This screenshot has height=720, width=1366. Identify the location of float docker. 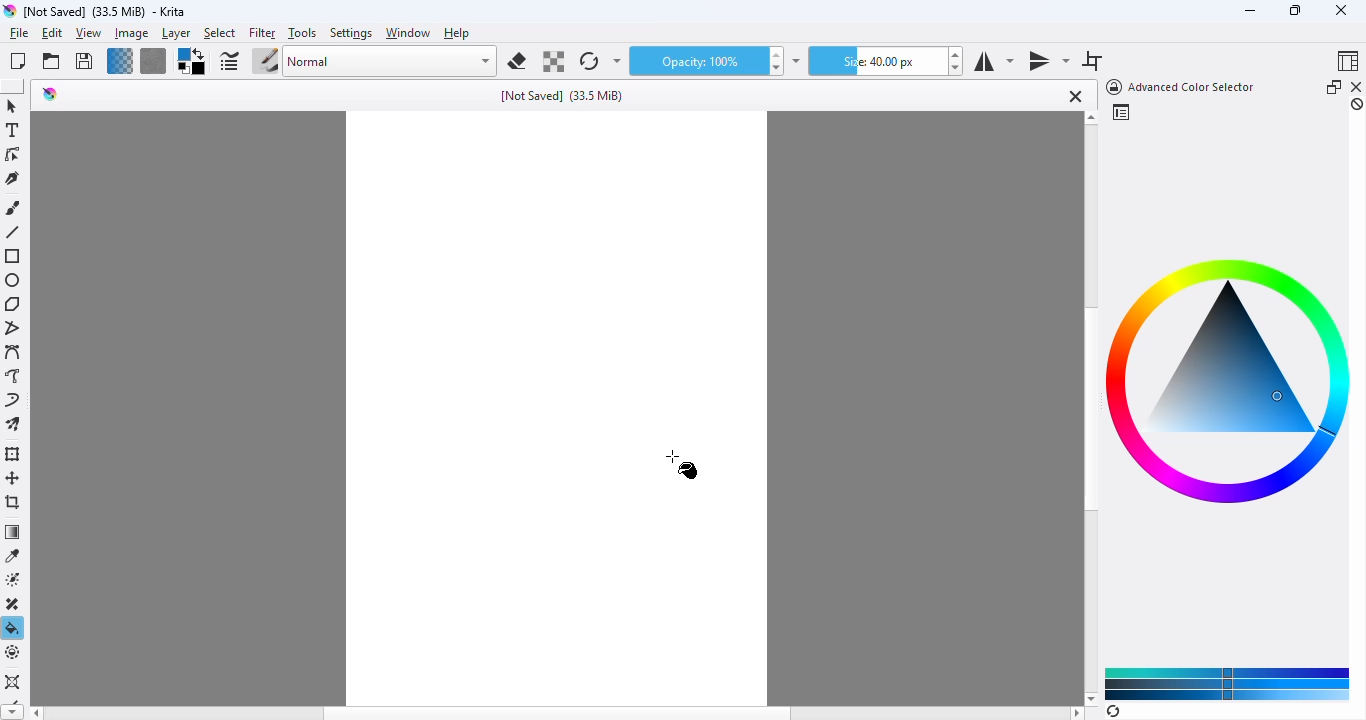
(1334, 86).